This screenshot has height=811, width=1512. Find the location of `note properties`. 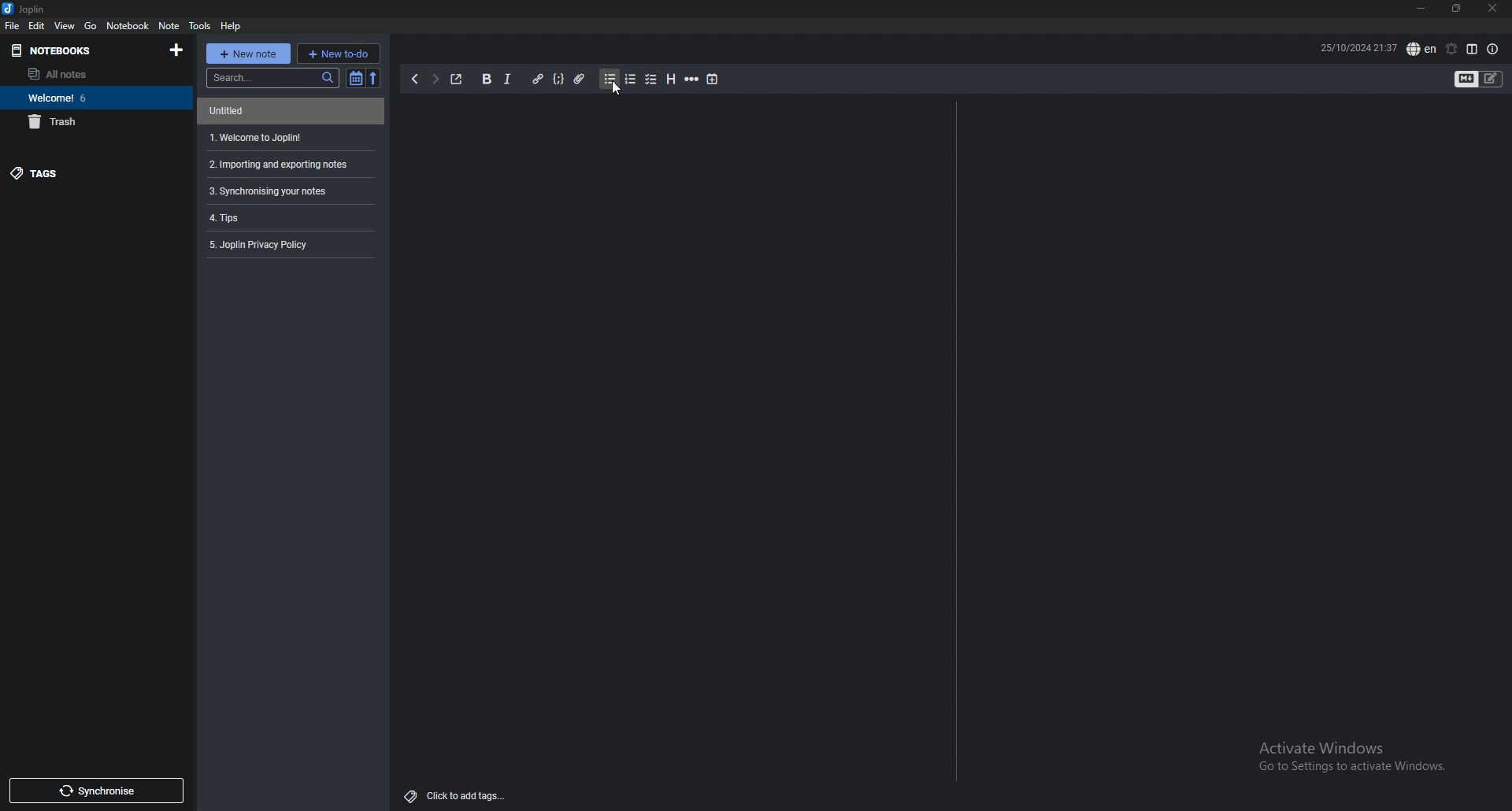

note properties is located at coordinates (1495, 50).